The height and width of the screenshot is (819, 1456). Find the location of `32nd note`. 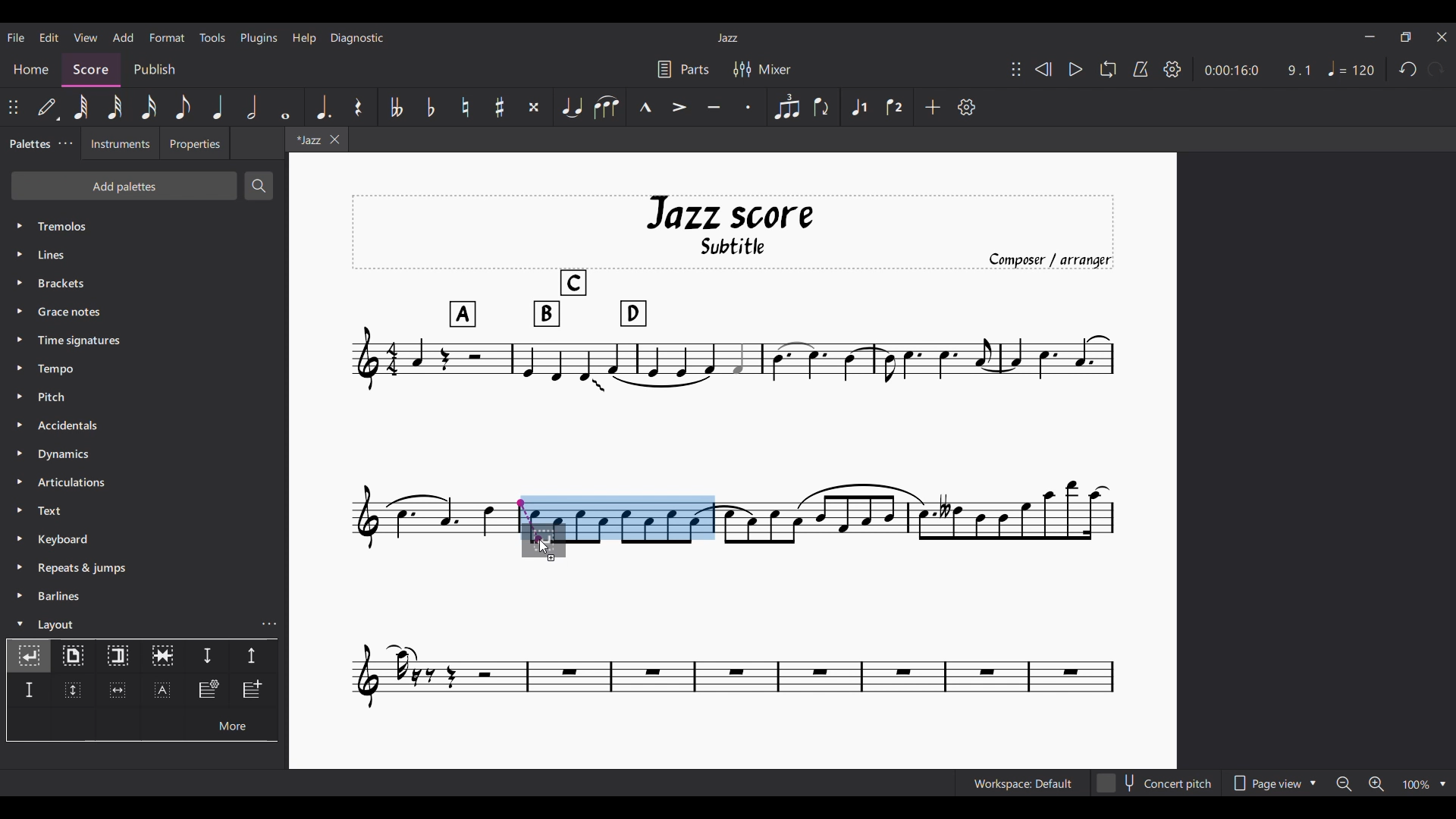

32nd note is located at coordinates (115, 107).